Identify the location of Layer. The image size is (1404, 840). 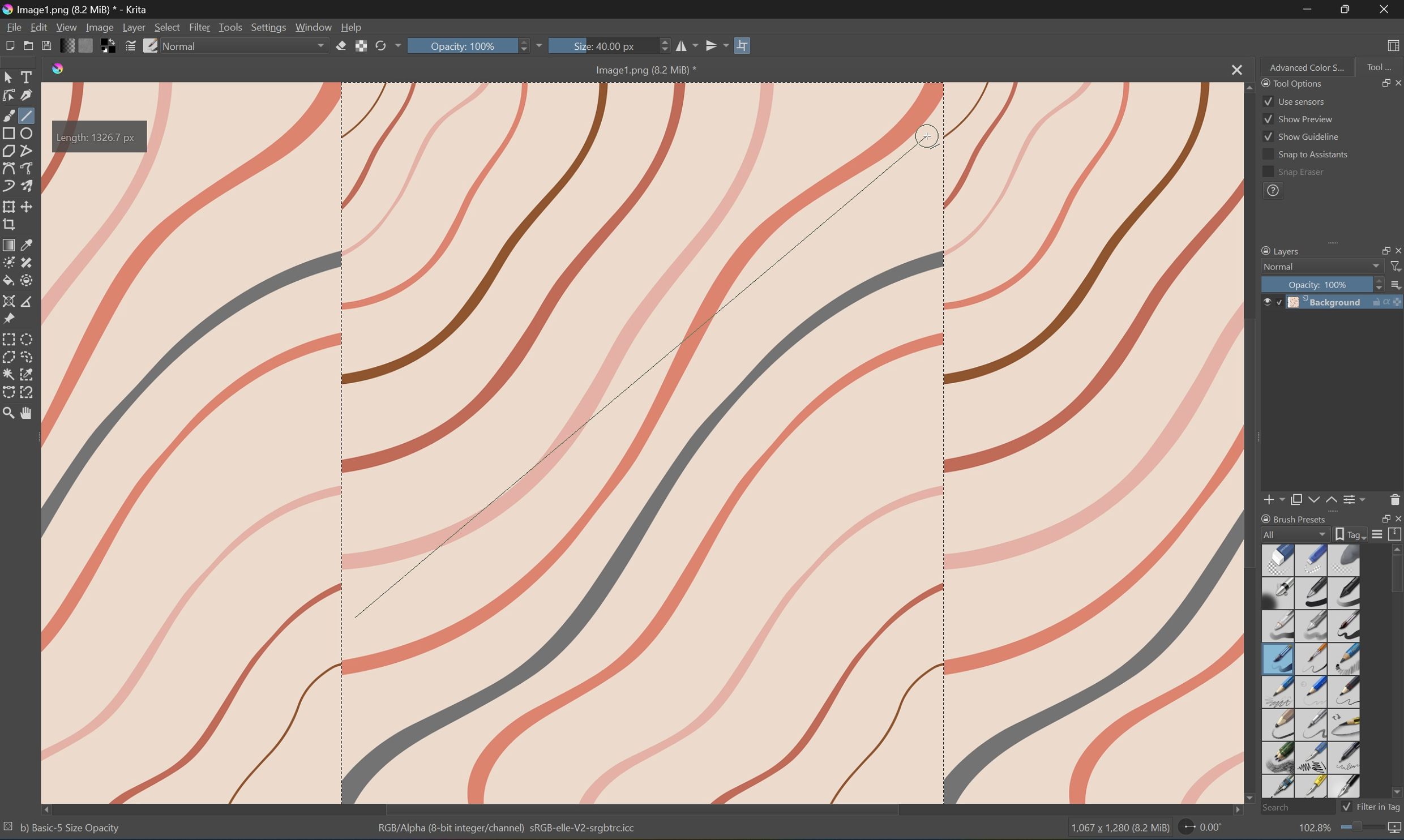
(134, 27).